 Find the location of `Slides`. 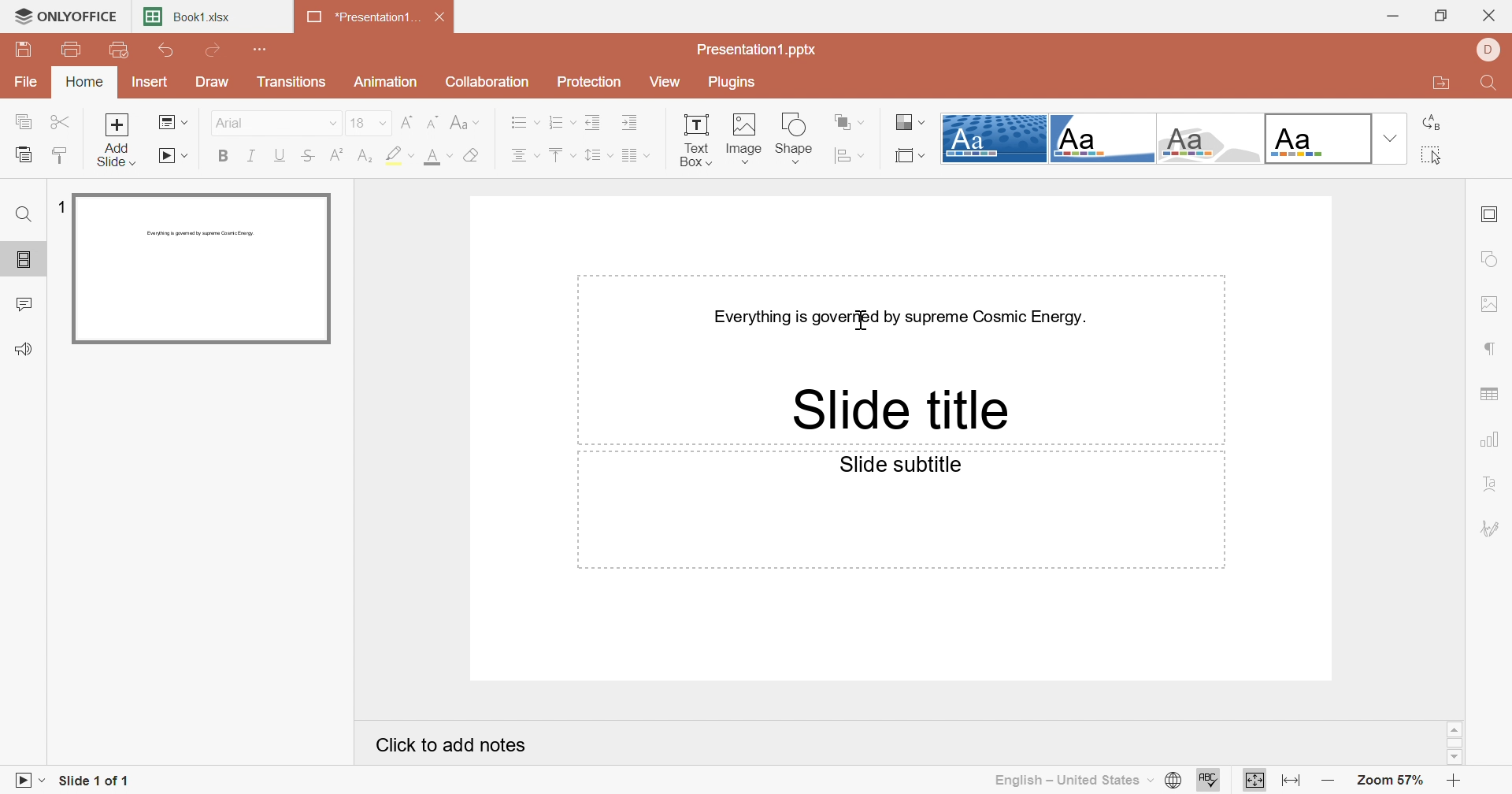

Slides is located at coordinates (24, 259).